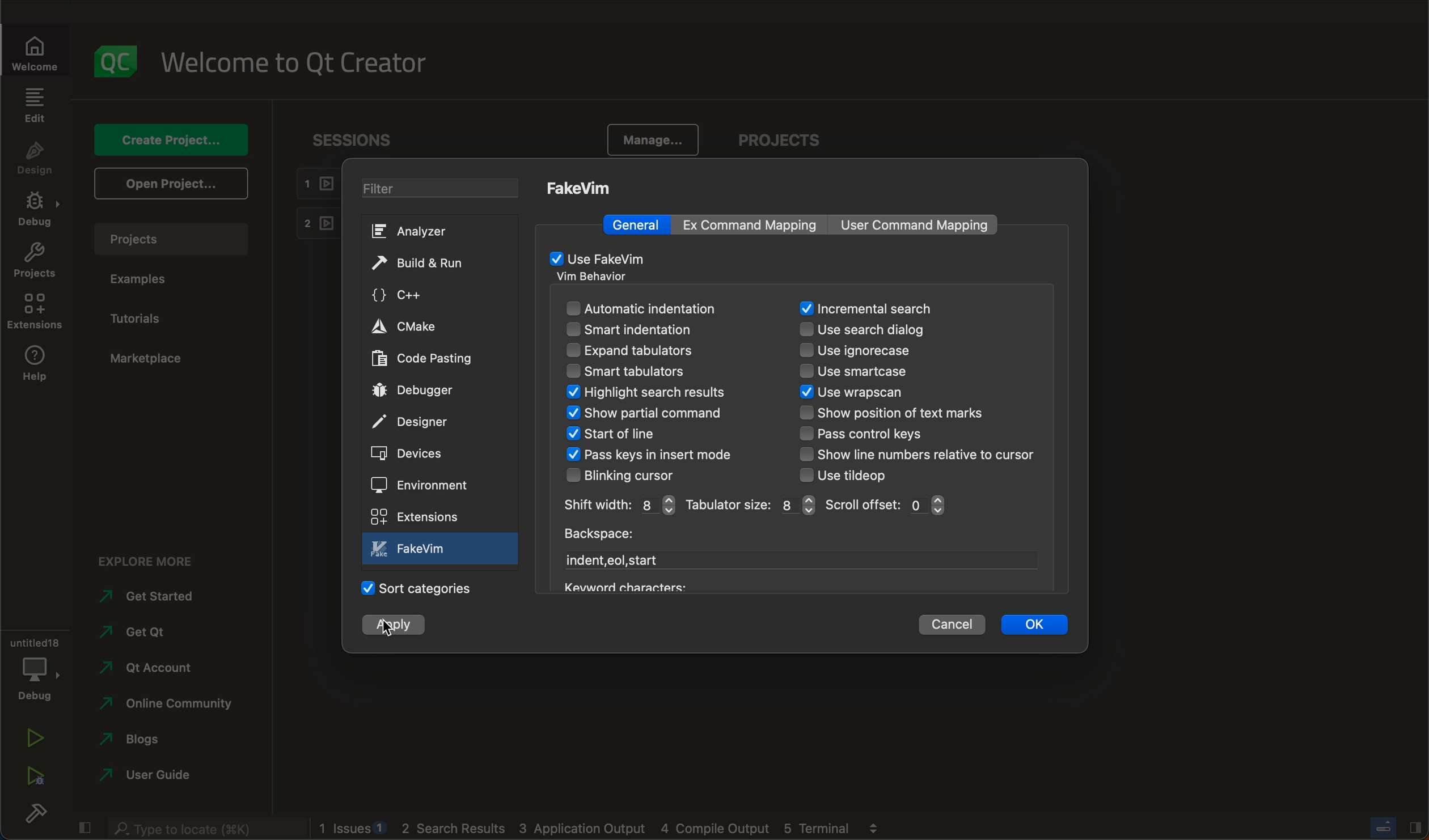  I want to click on wrapscan, so click(874, 393).